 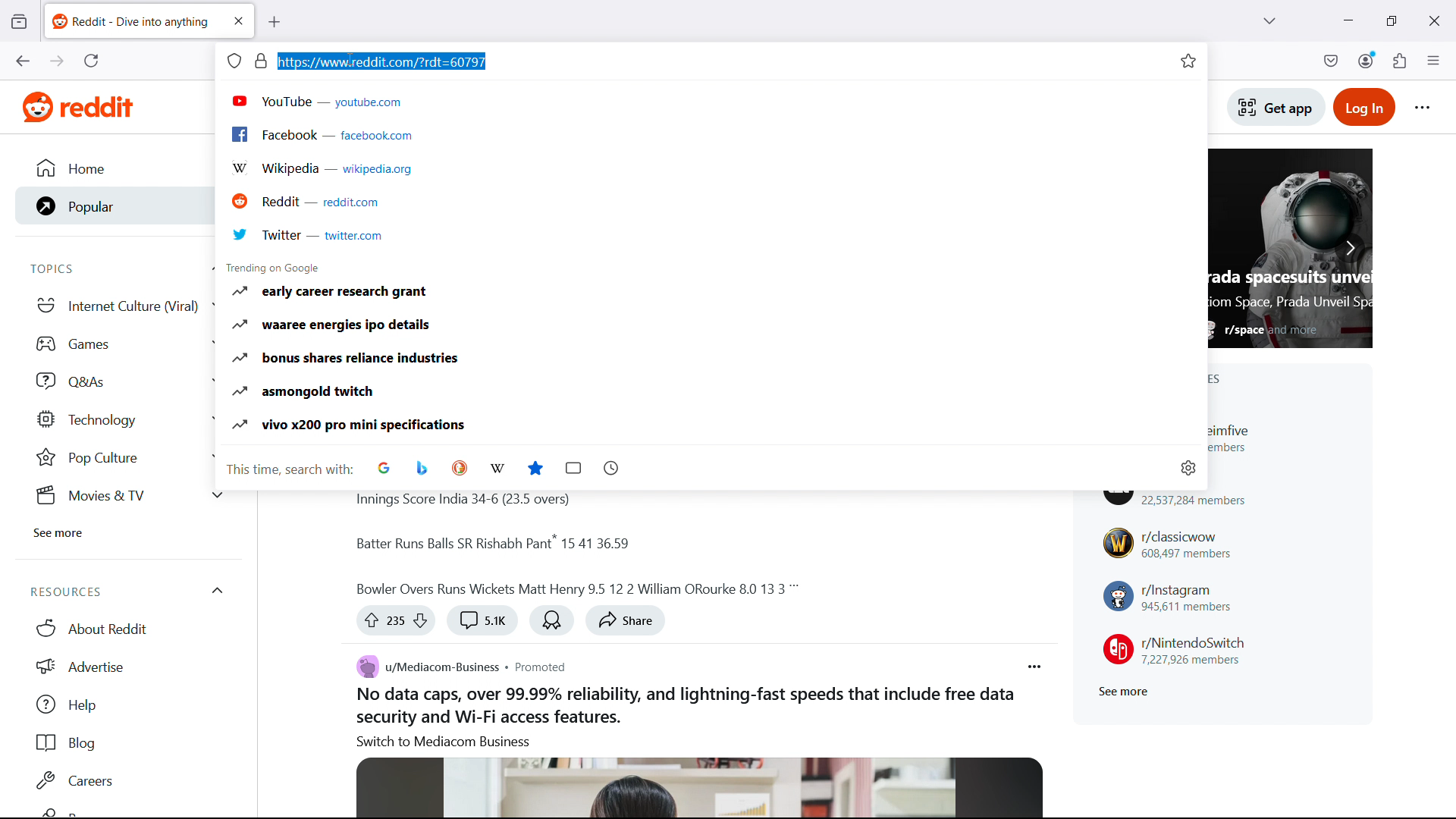 I want to click on Home, so click(x=108, y=170).